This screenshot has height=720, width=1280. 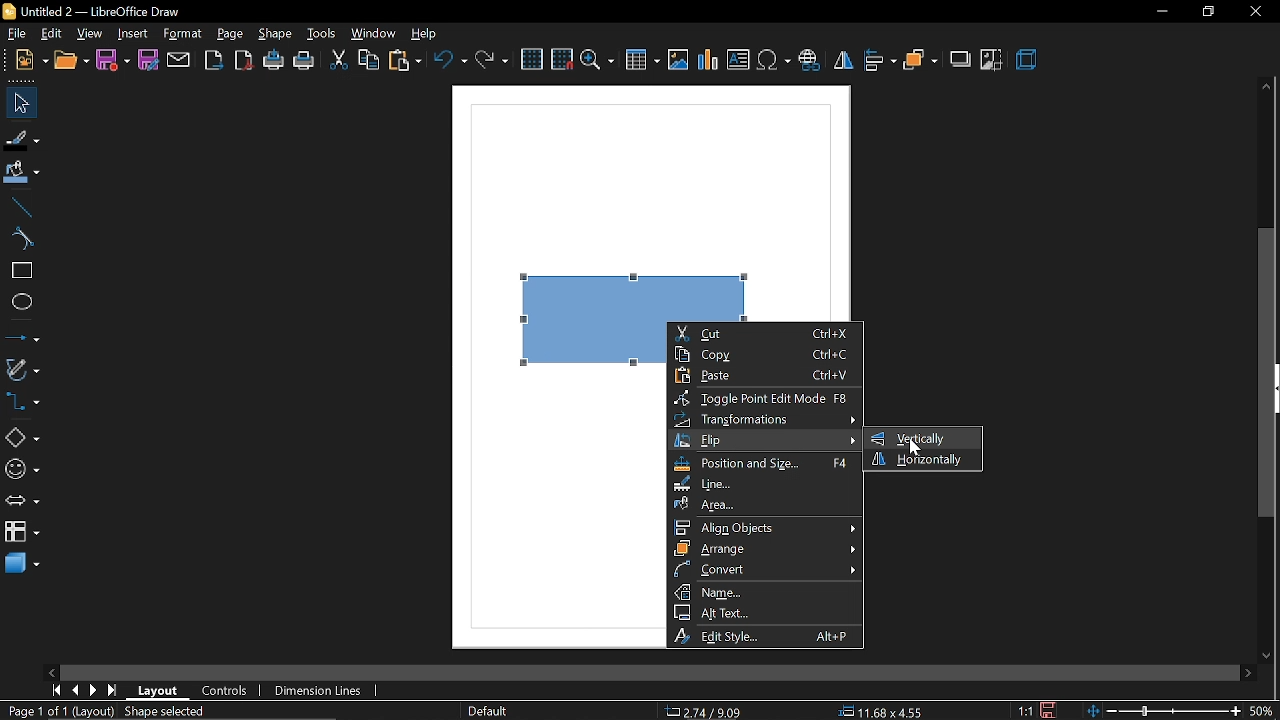 I want to click on save, so click(x=111, y=61).